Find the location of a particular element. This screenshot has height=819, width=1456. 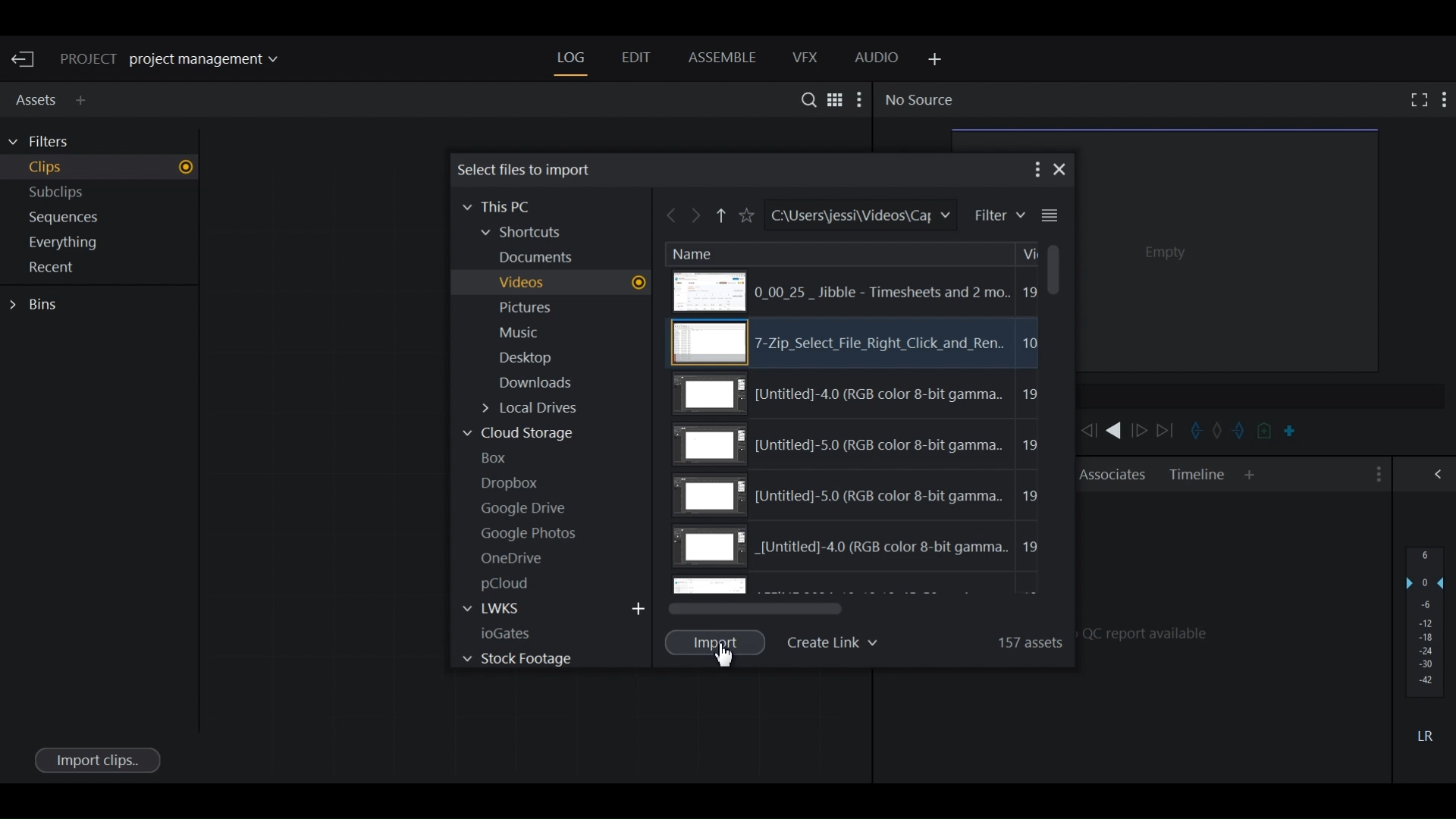

Clear marks is located at coordinates (1217, 432).